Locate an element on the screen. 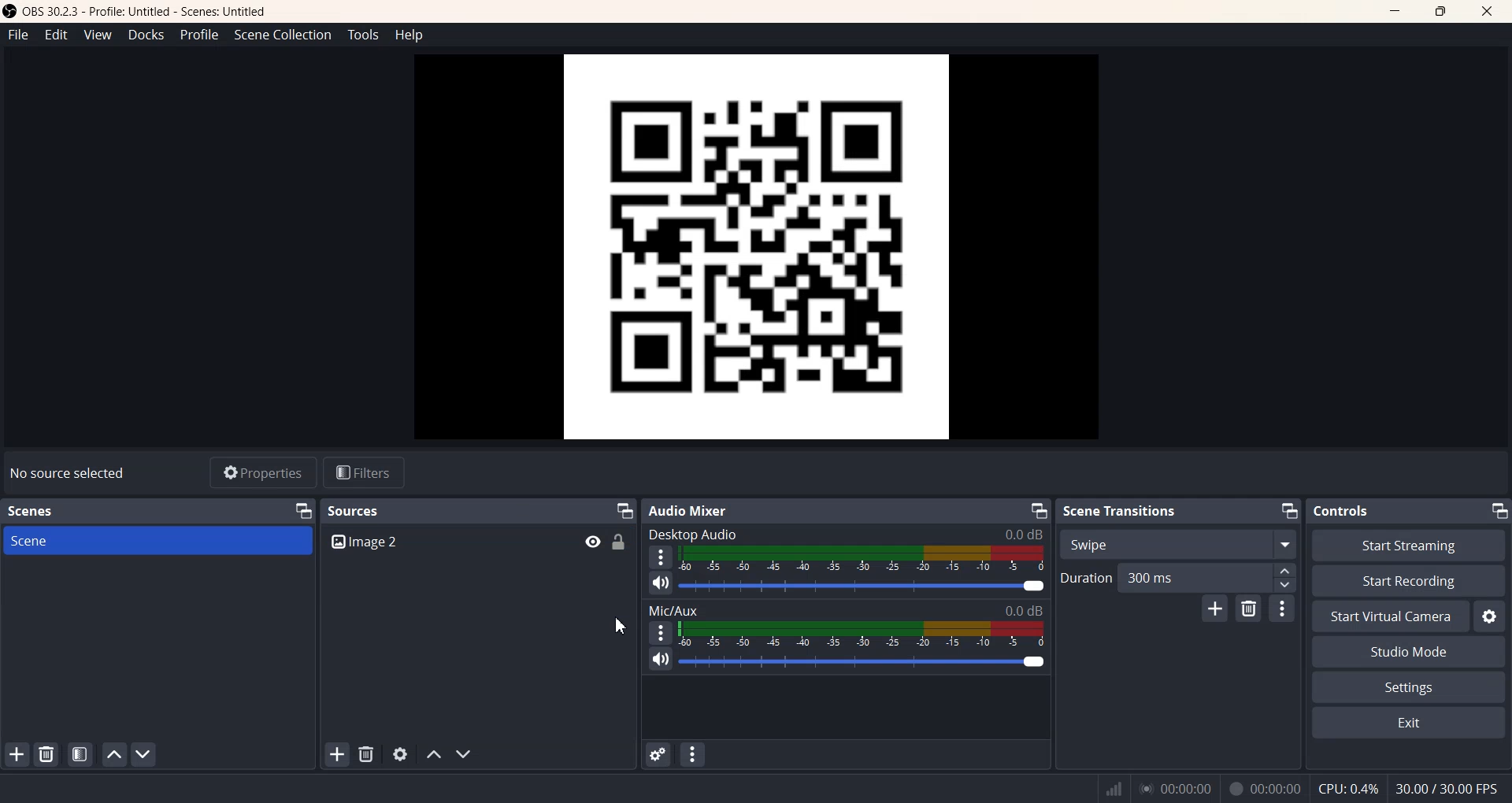 The width and height of the screenshot is (1512, 803). Volume Indicator is located at coordinates (862, 632).